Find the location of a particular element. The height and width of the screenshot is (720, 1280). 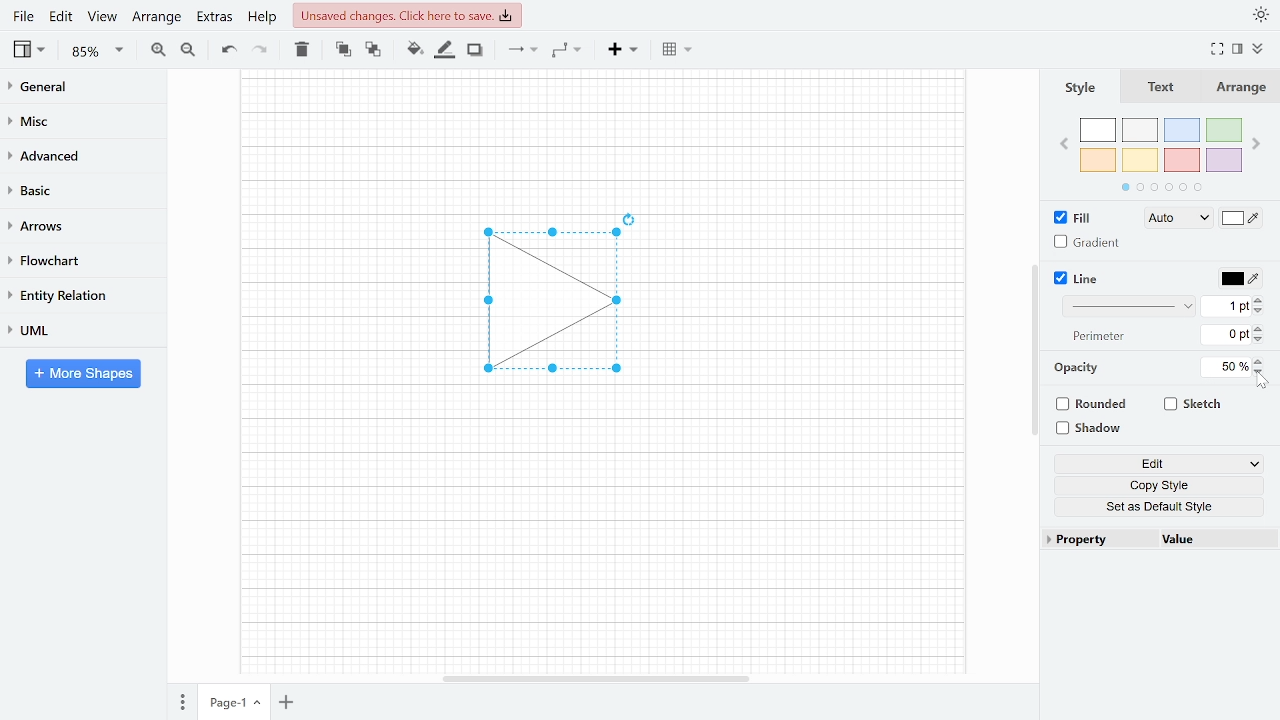

View is located at coordinates (102, 16).